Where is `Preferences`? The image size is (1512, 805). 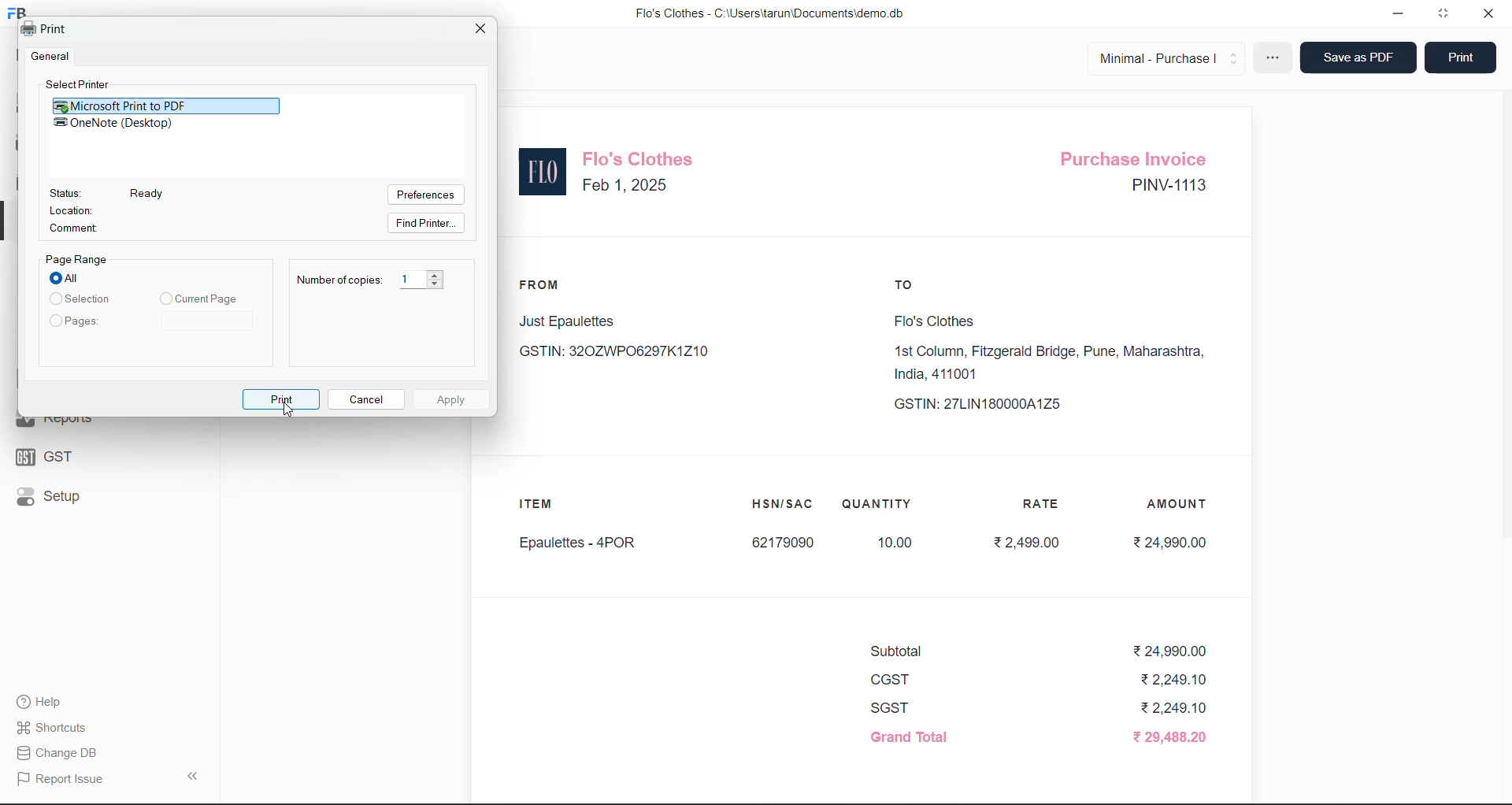
Preferences is located at coordinates (424, 195).